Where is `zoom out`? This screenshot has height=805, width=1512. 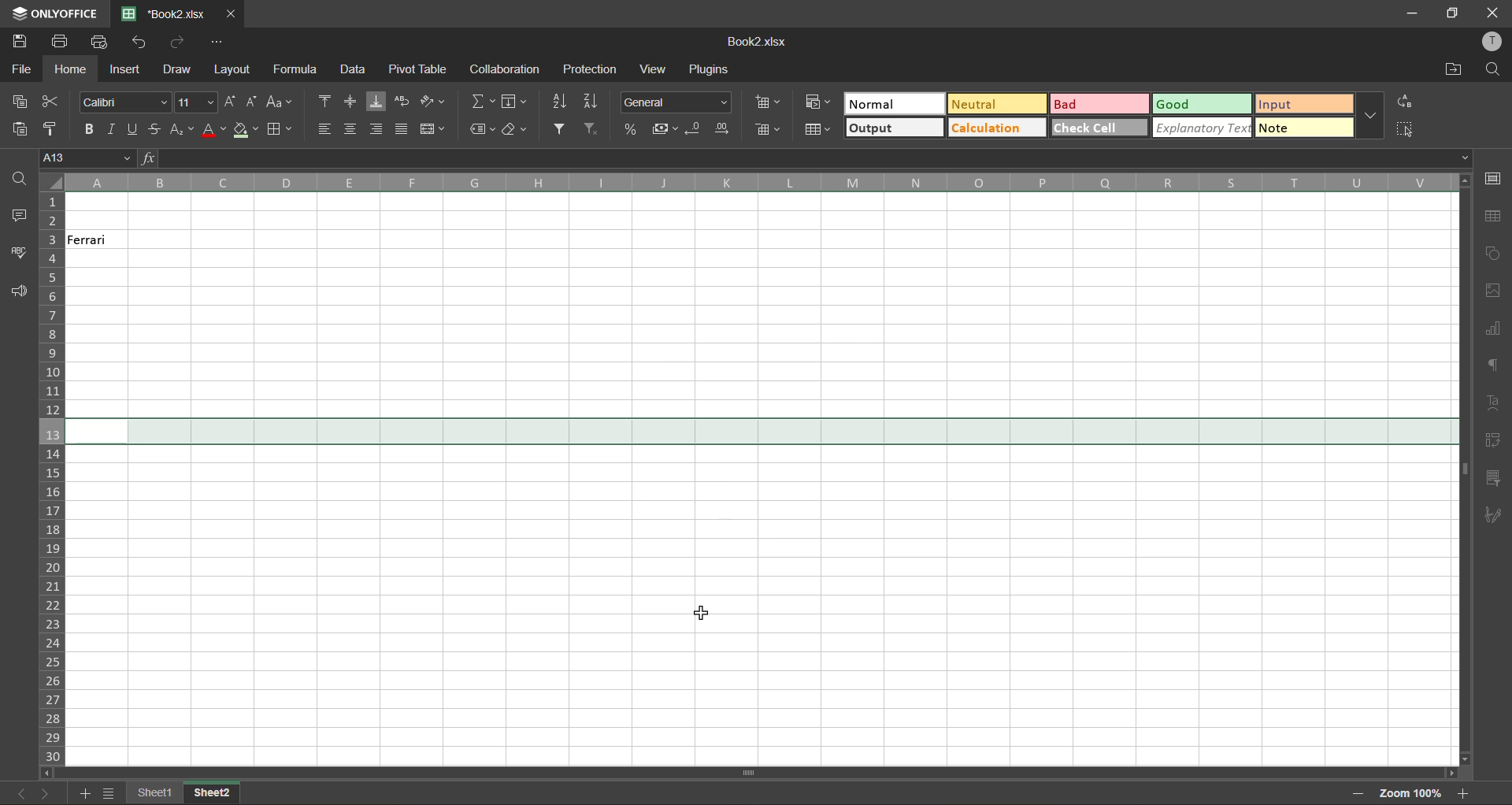
zoom out is located at coordinates (1352, 792).